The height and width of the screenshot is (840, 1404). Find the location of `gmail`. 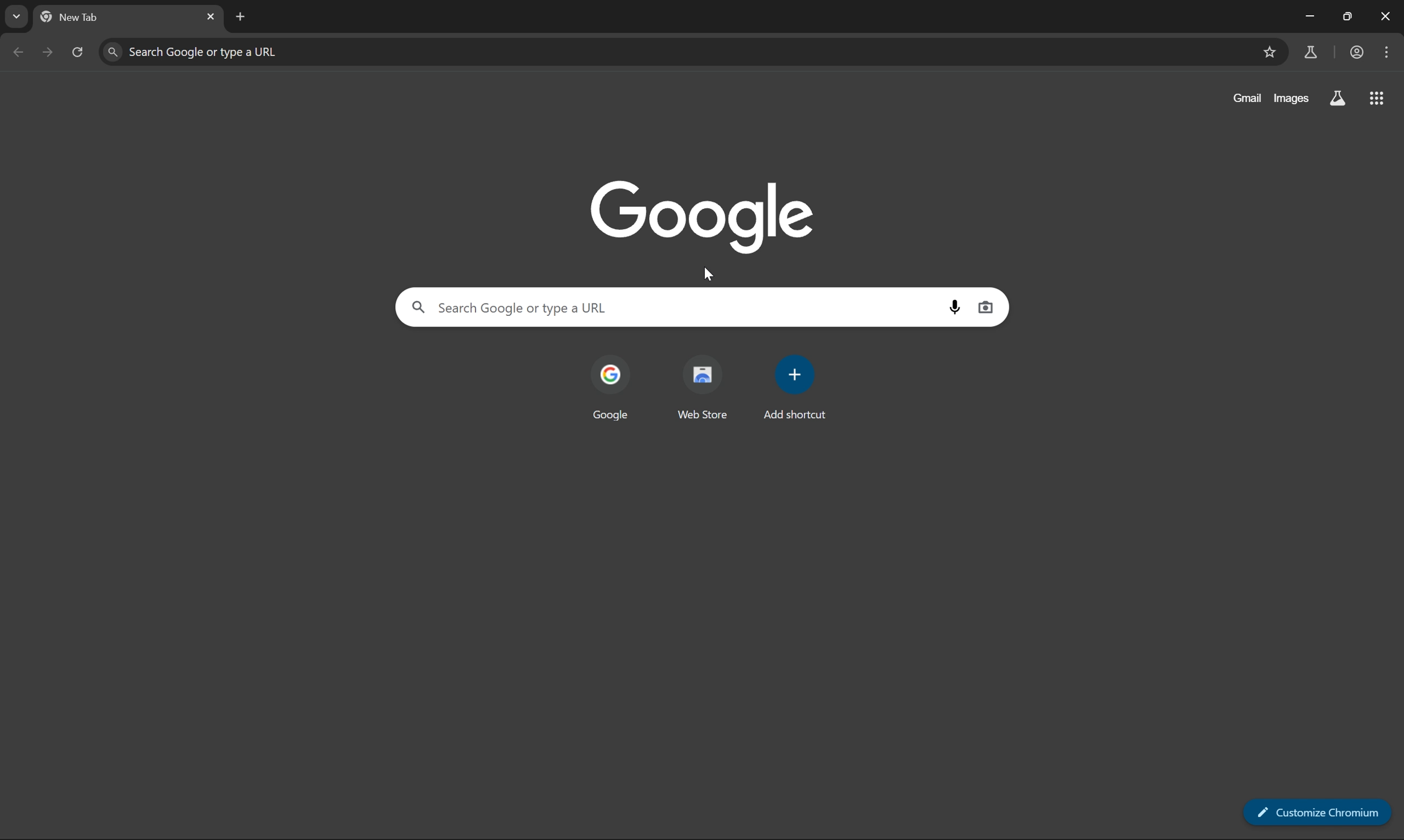

gmail is located at coordinates (1248, 97).